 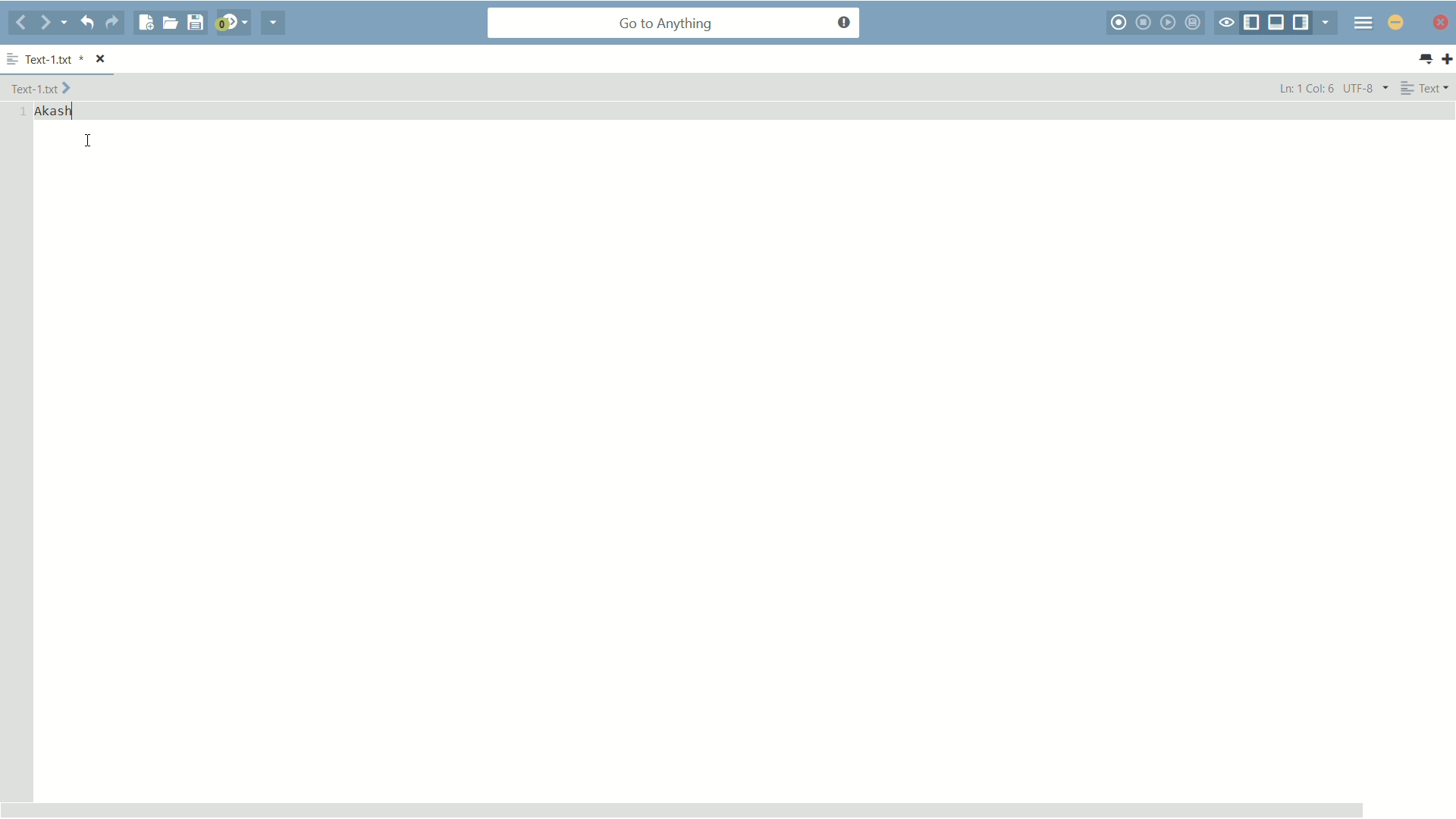 What do you see at coordinates (12, 56) in the screenshot?
I see `more options` at bounding box center [12, 56].